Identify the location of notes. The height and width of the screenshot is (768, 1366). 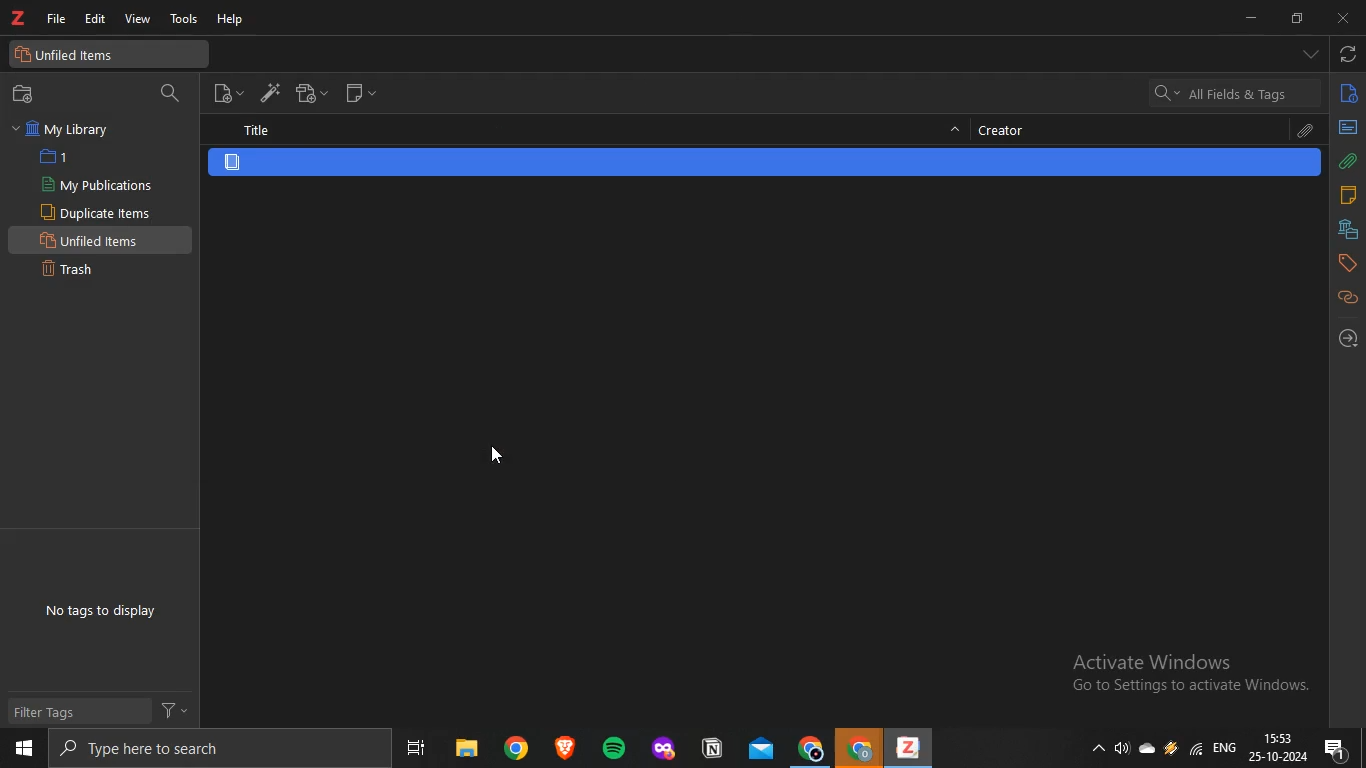
(1348, 195).